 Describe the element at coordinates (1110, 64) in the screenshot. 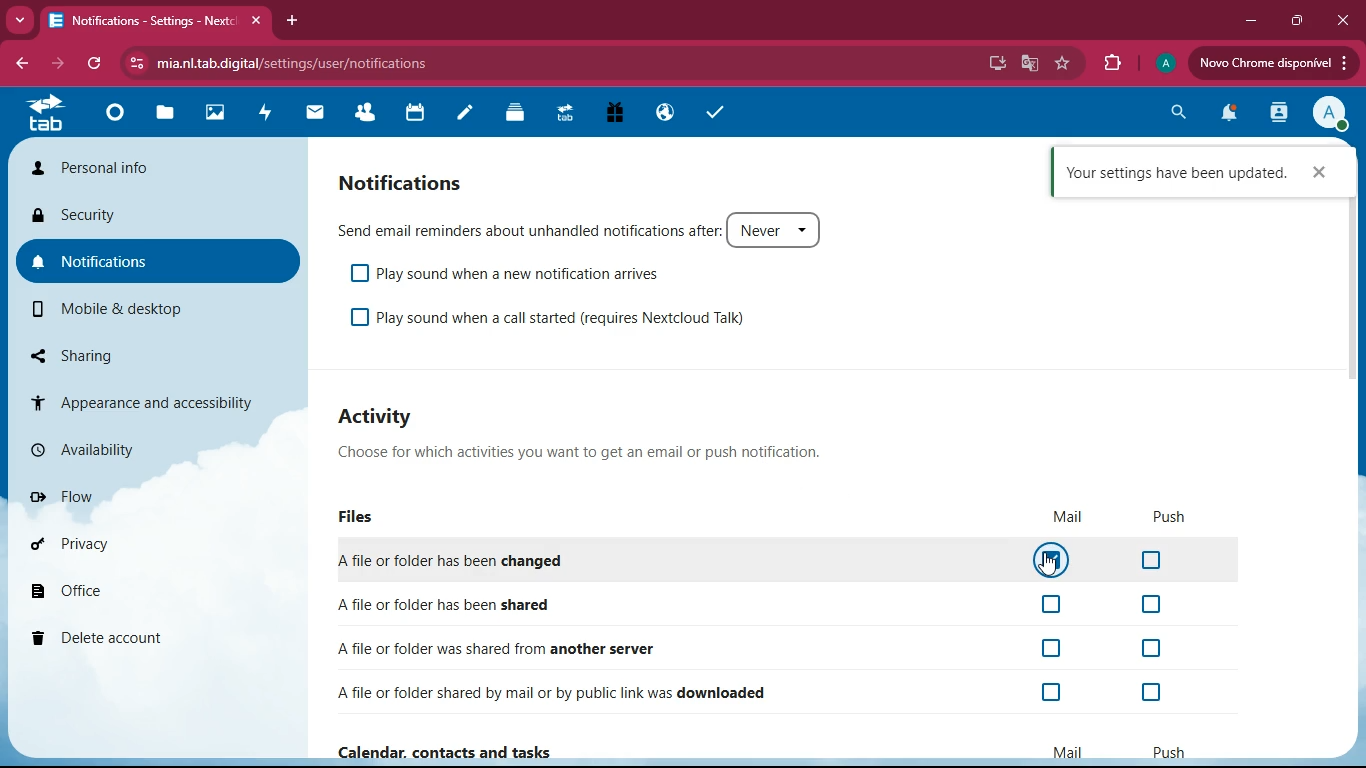

I see `extensions` at that location.